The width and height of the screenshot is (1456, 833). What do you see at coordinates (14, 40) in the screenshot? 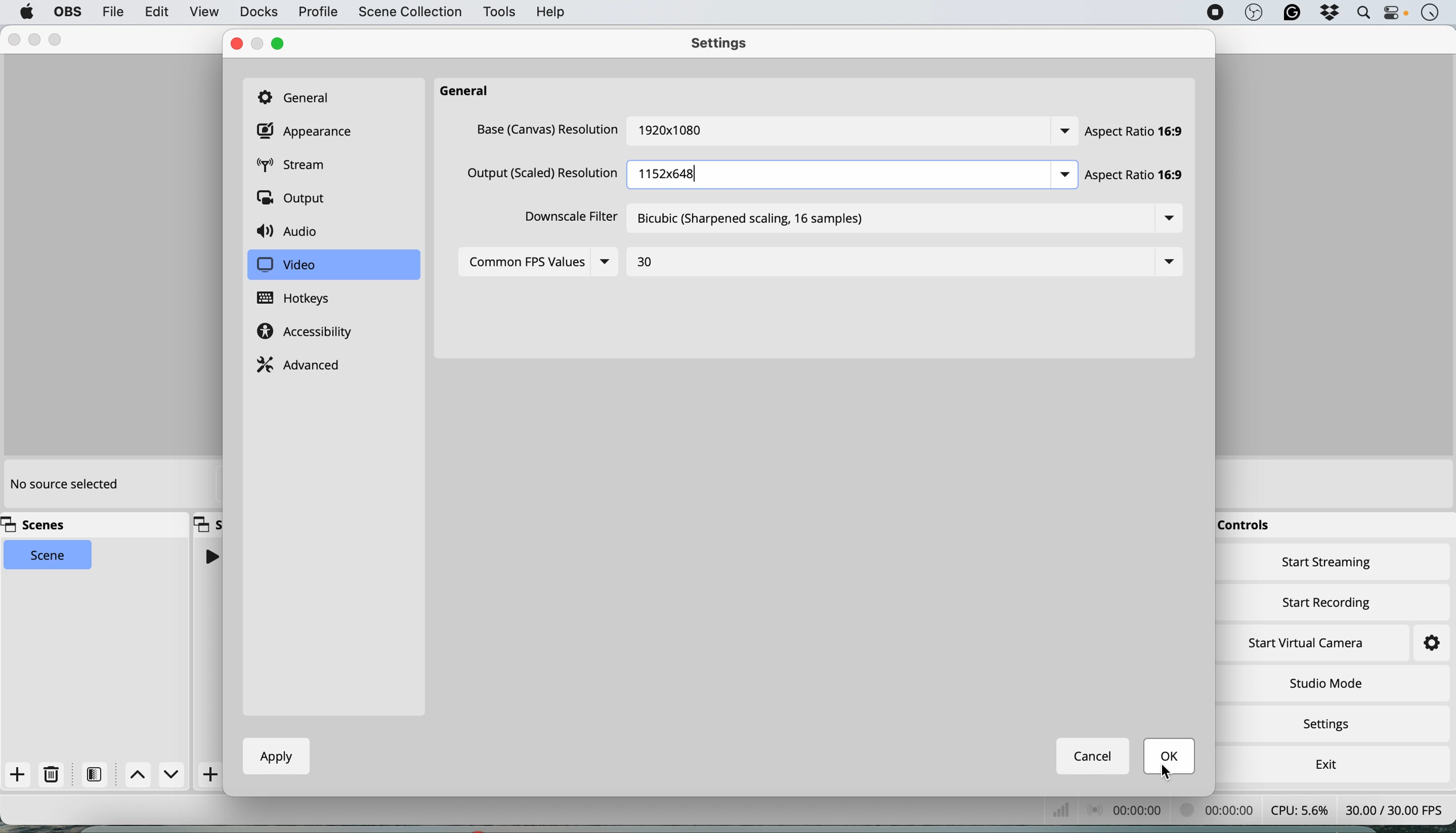
I see `close` at bounding box center [14, 40].